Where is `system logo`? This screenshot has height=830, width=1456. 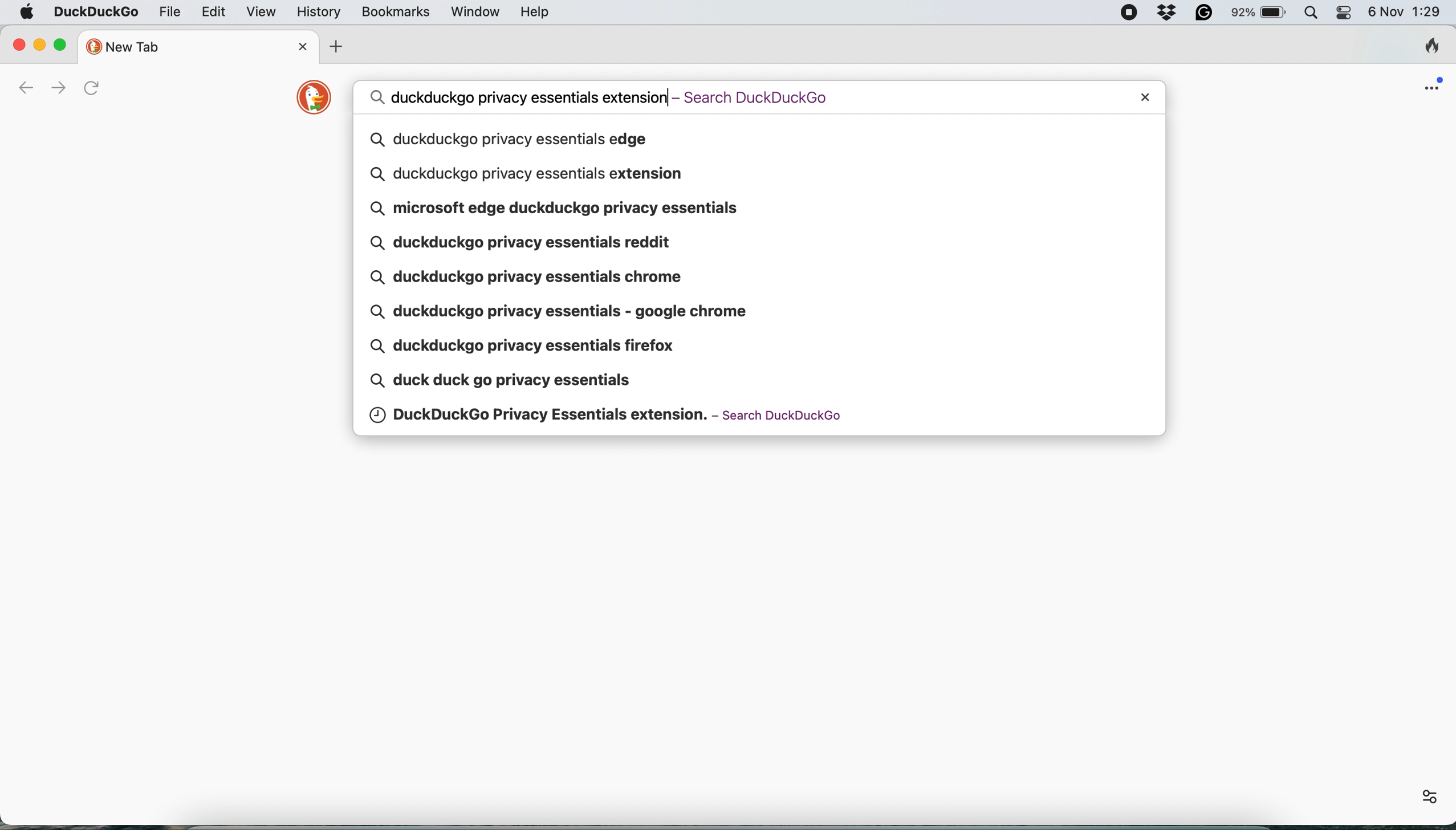 system logo is located at coordinates (27, 12).